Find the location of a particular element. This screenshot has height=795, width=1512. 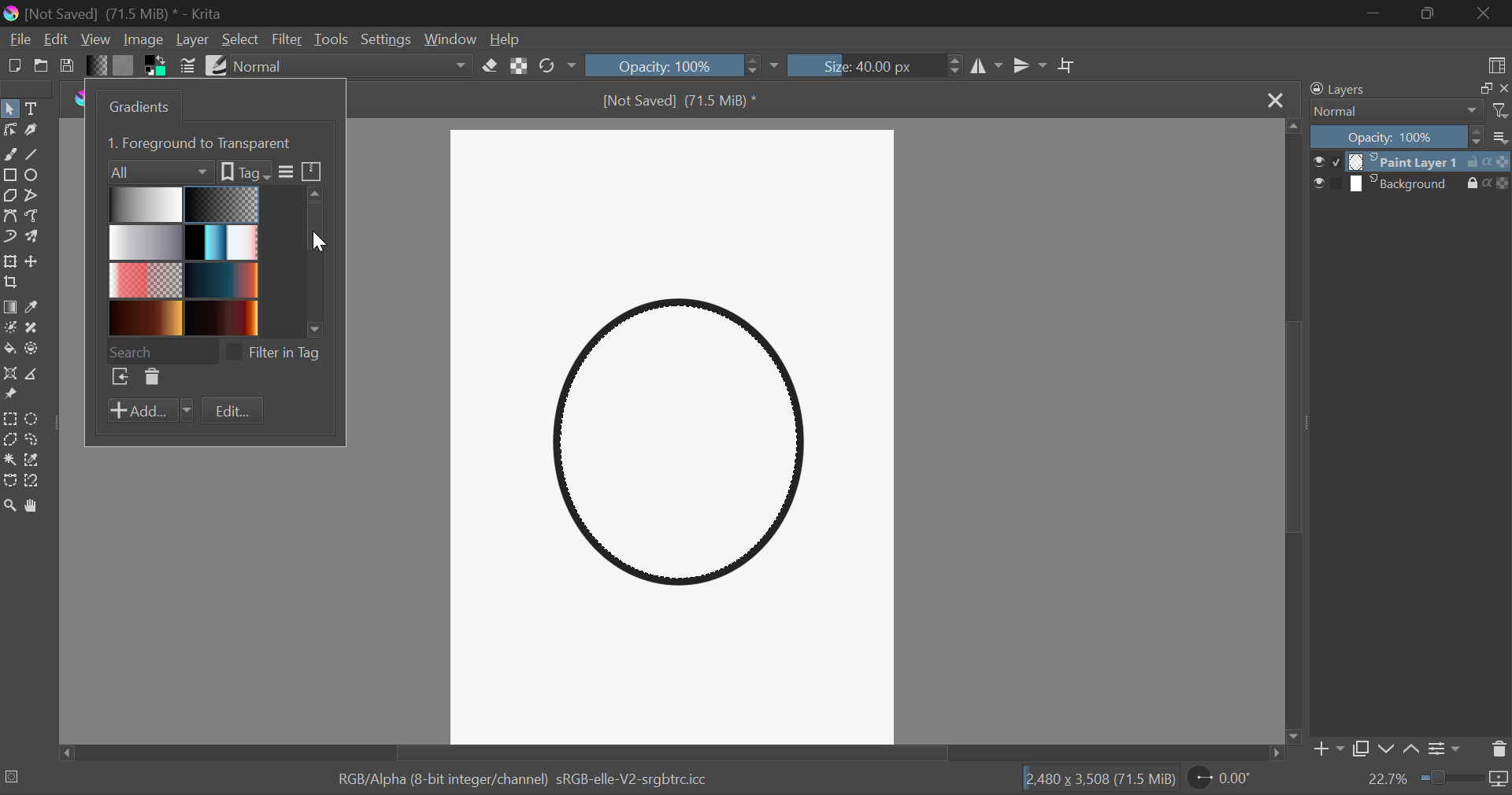

Assistant Tool is located at coordinates (10, 372).